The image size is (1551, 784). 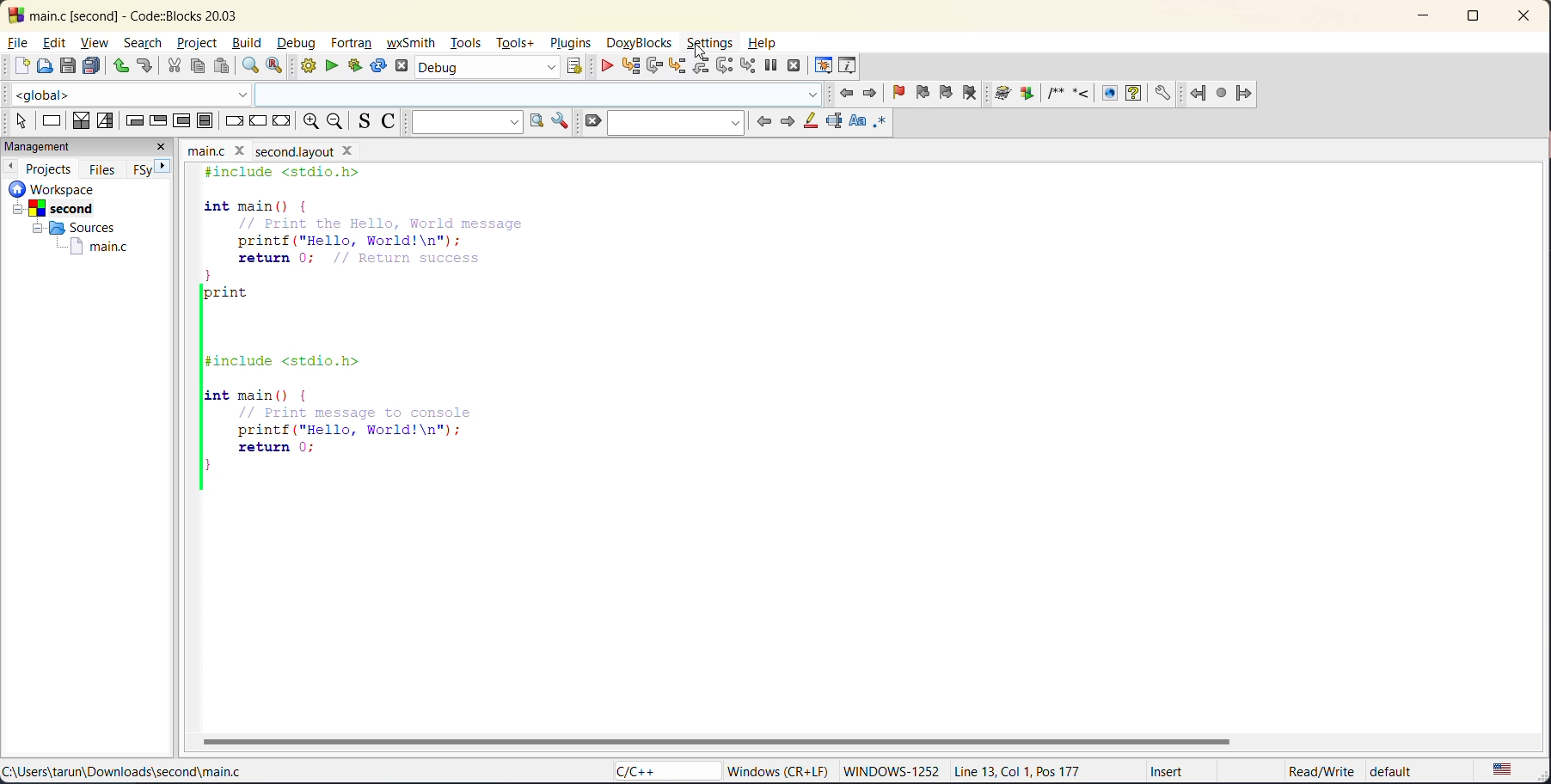 What do you see at coordinates (52, 123) in the screenshot?
I see `instruction` at bounding box center [52, 123].